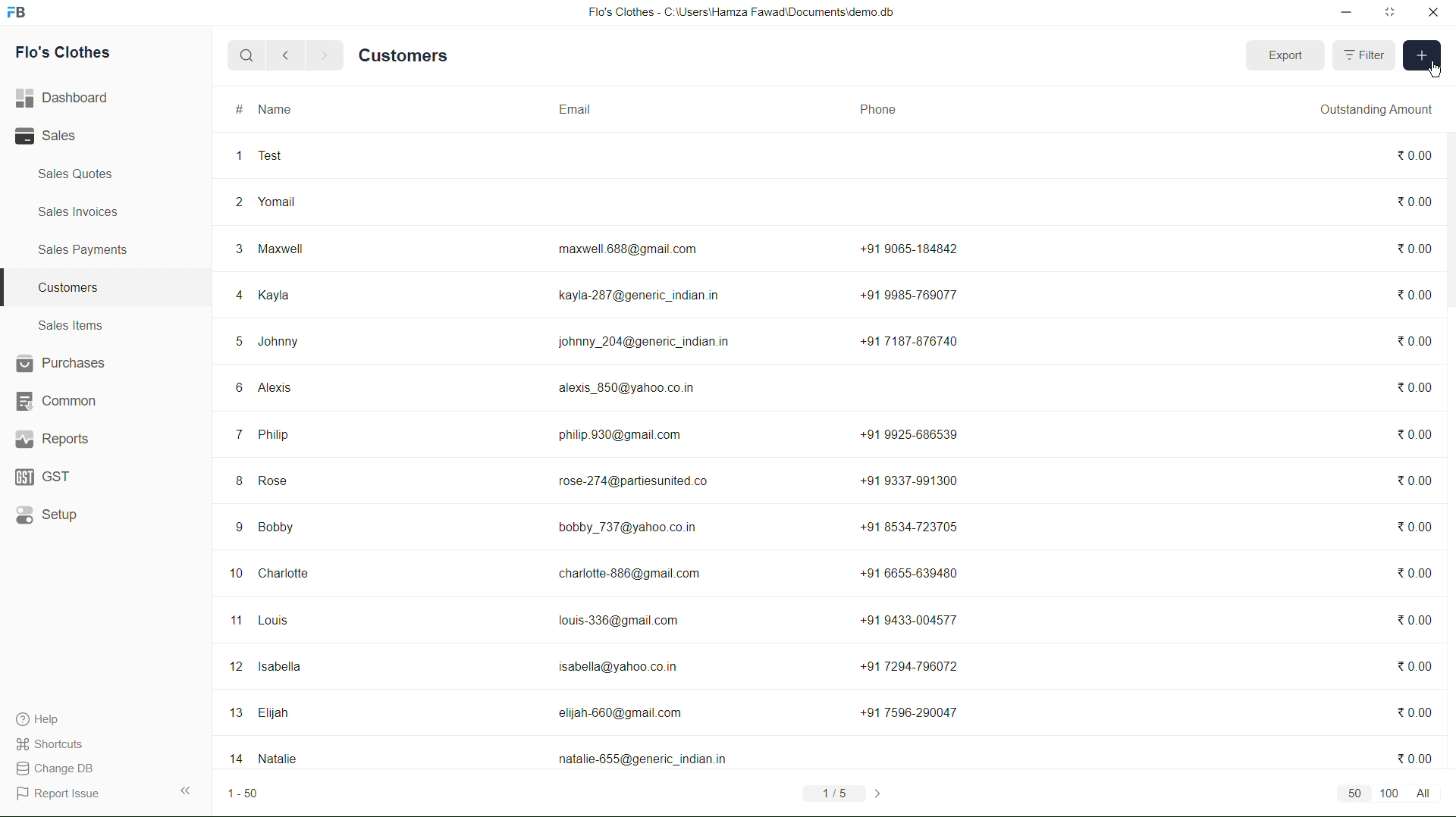  What do you see at coordinates (274, 293) in the screenshot?
I see `Kayla` at bounding box center [274, 293].